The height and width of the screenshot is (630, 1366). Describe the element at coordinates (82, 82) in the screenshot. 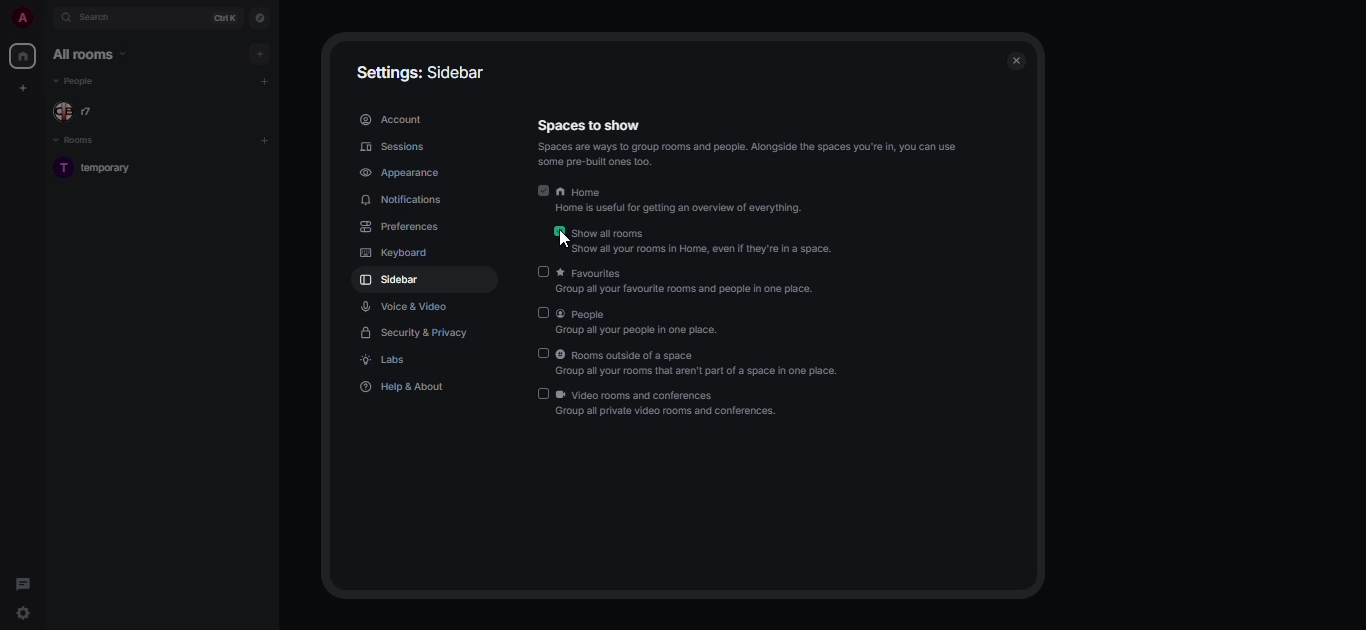

I see `people` at that location.